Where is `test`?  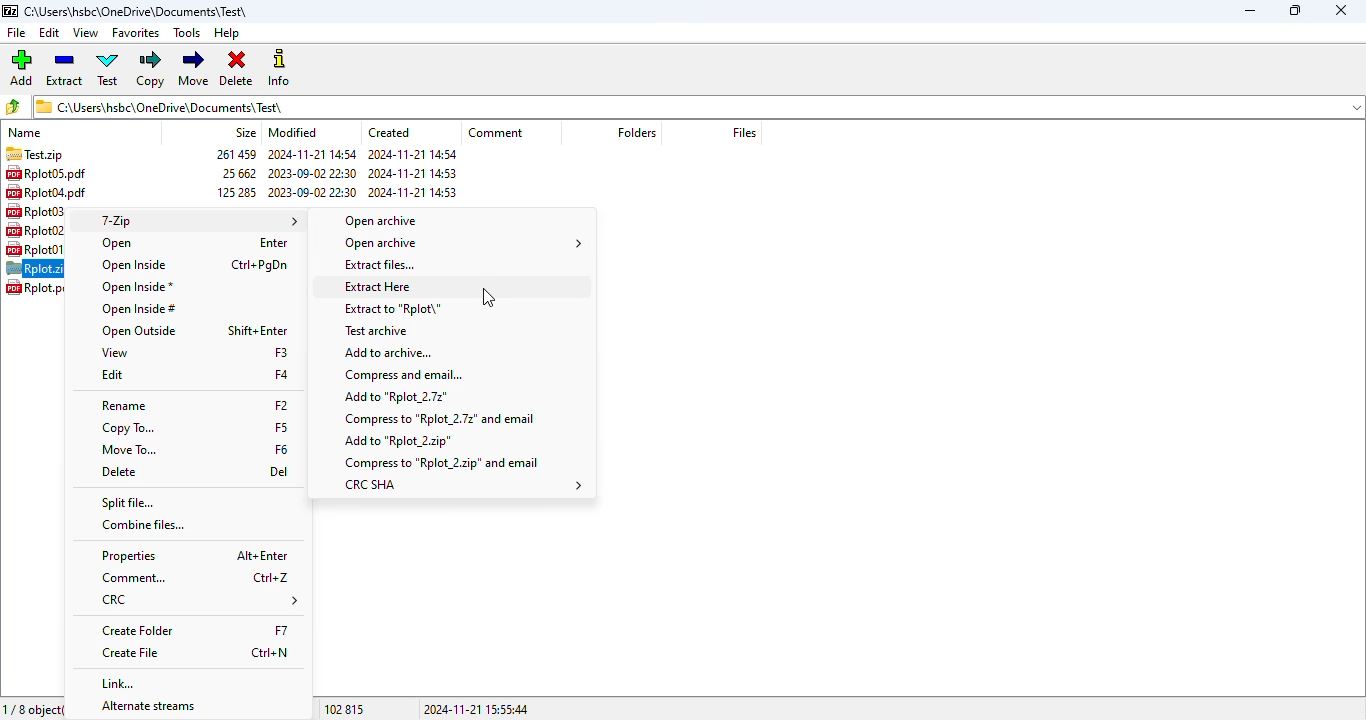 test is located at coordinates (108, 68).